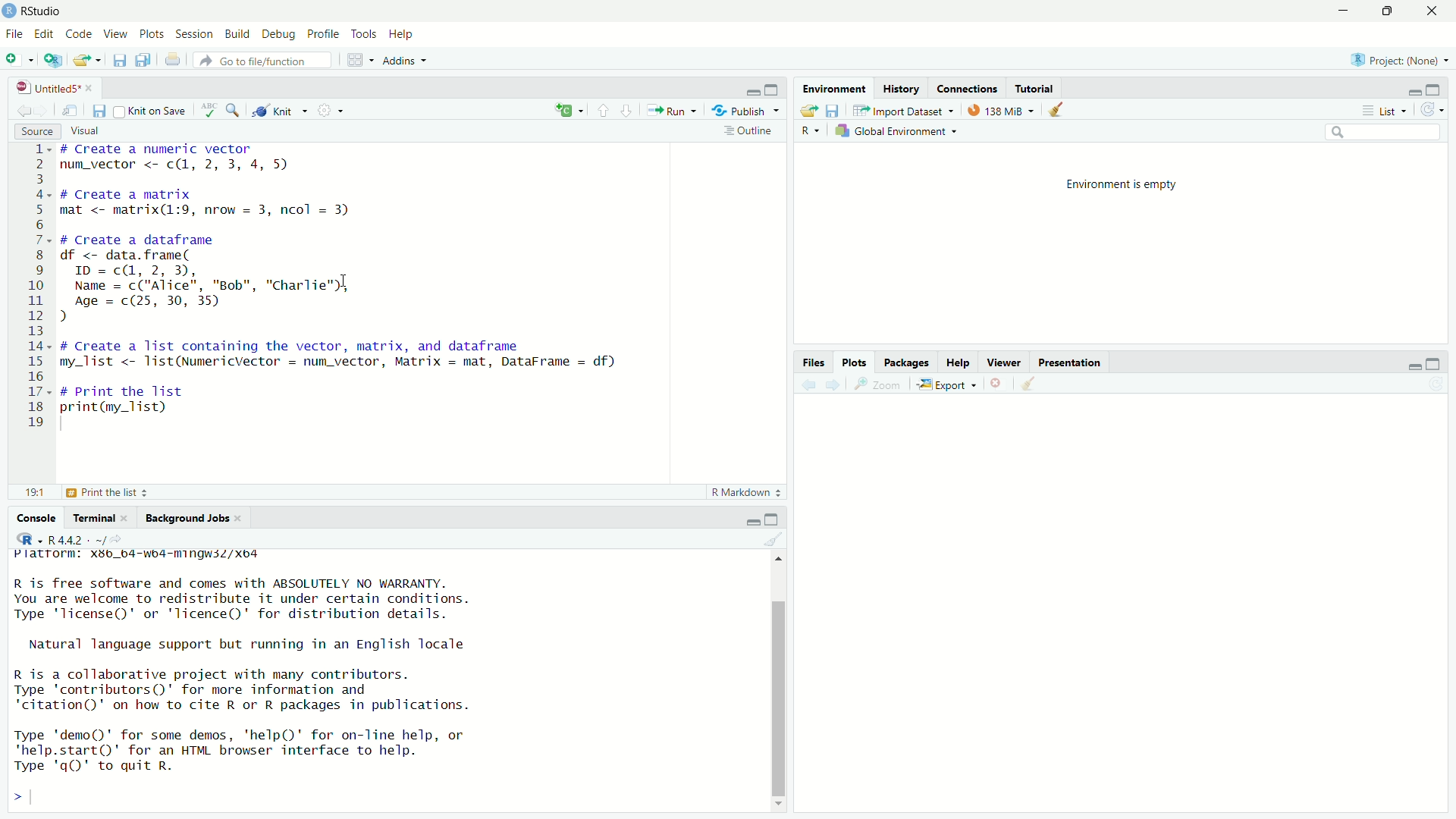 This screenshot has height=819, width=1456. Describe the element at coordinates (1412, 91) in the screenshot. I see `minimise` at that location.